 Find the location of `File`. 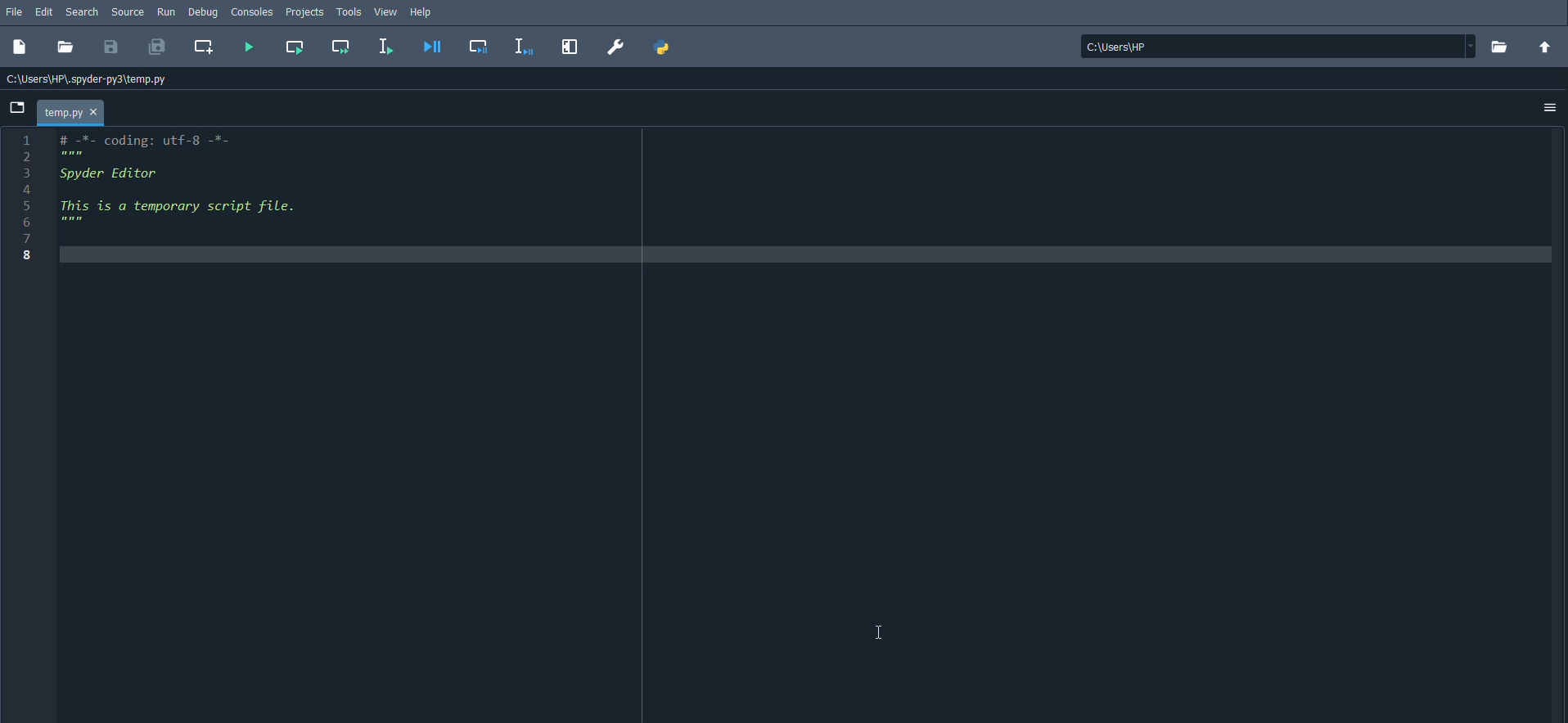

File is located at coordinates (16, 11).